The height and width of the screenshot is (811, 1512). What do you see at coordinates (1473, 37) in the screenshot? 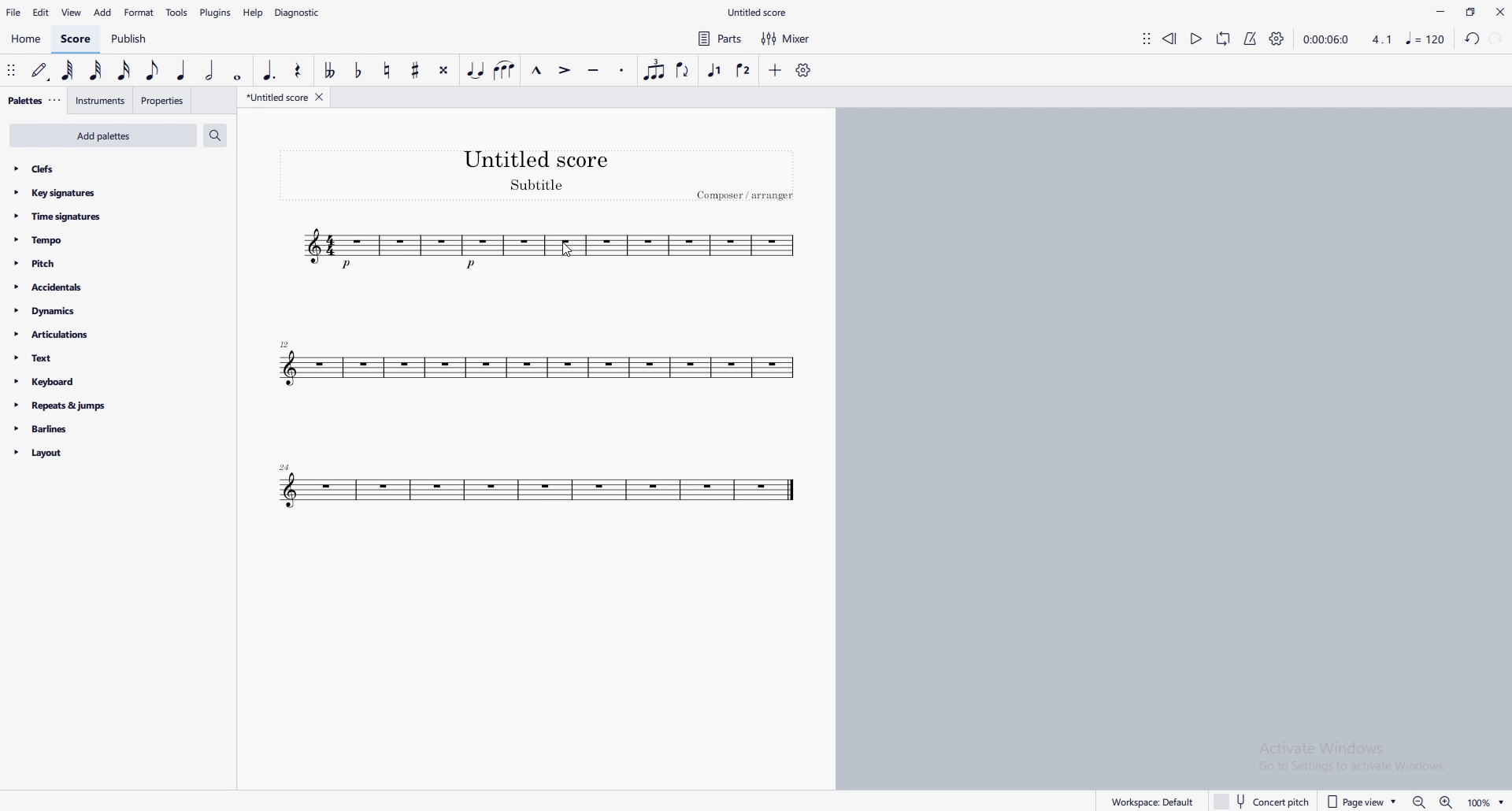
I see `undo` at bounding box center [1473, 37].